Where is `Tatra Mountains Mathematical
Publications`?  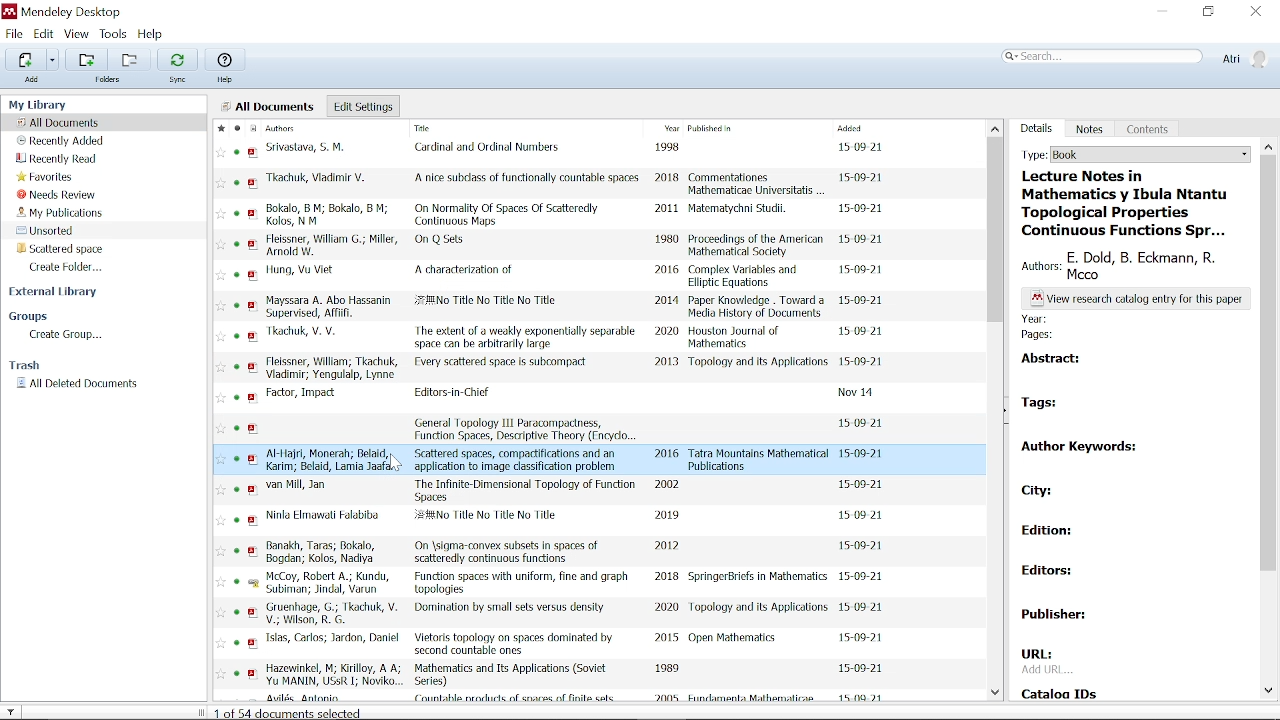 Tatra Mountains Mathematical
Publications is located at coordinates (760, 460).